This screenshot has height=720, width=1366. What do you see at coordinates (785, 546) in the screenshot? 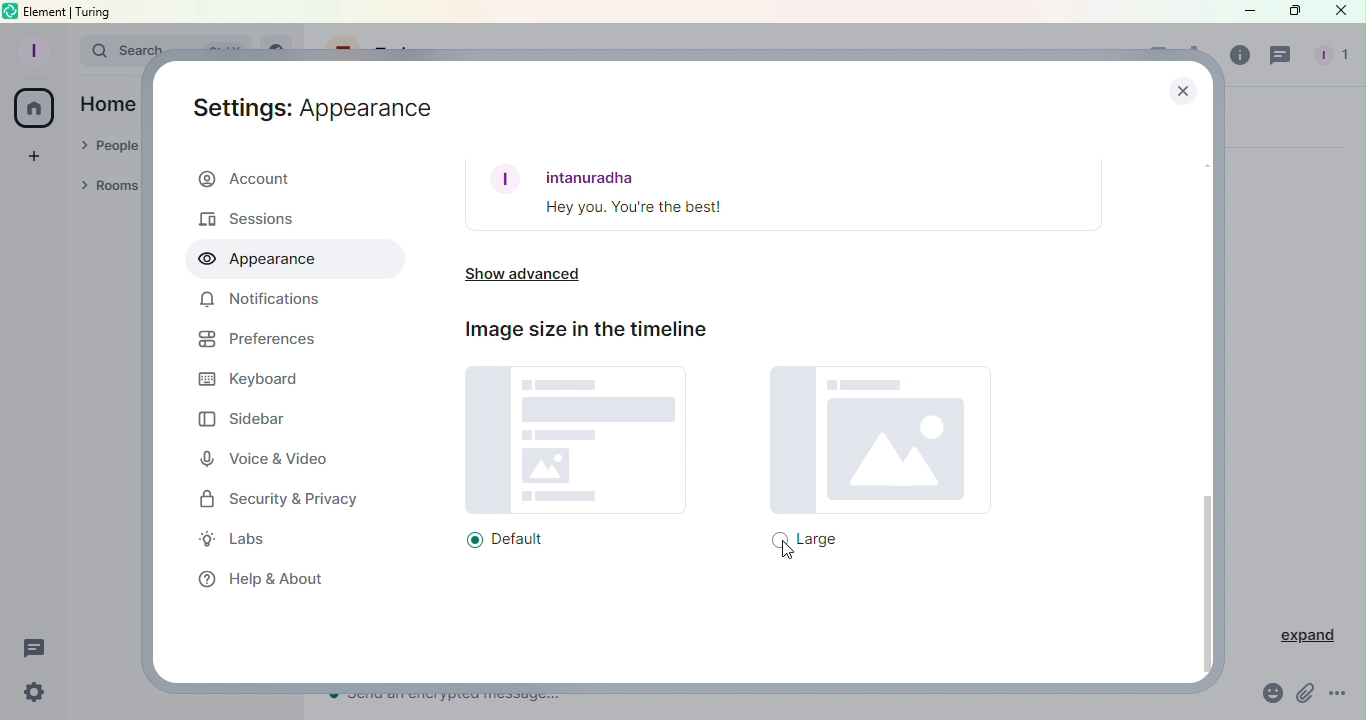
I see `Cursor` at bounding box center [785, 546].